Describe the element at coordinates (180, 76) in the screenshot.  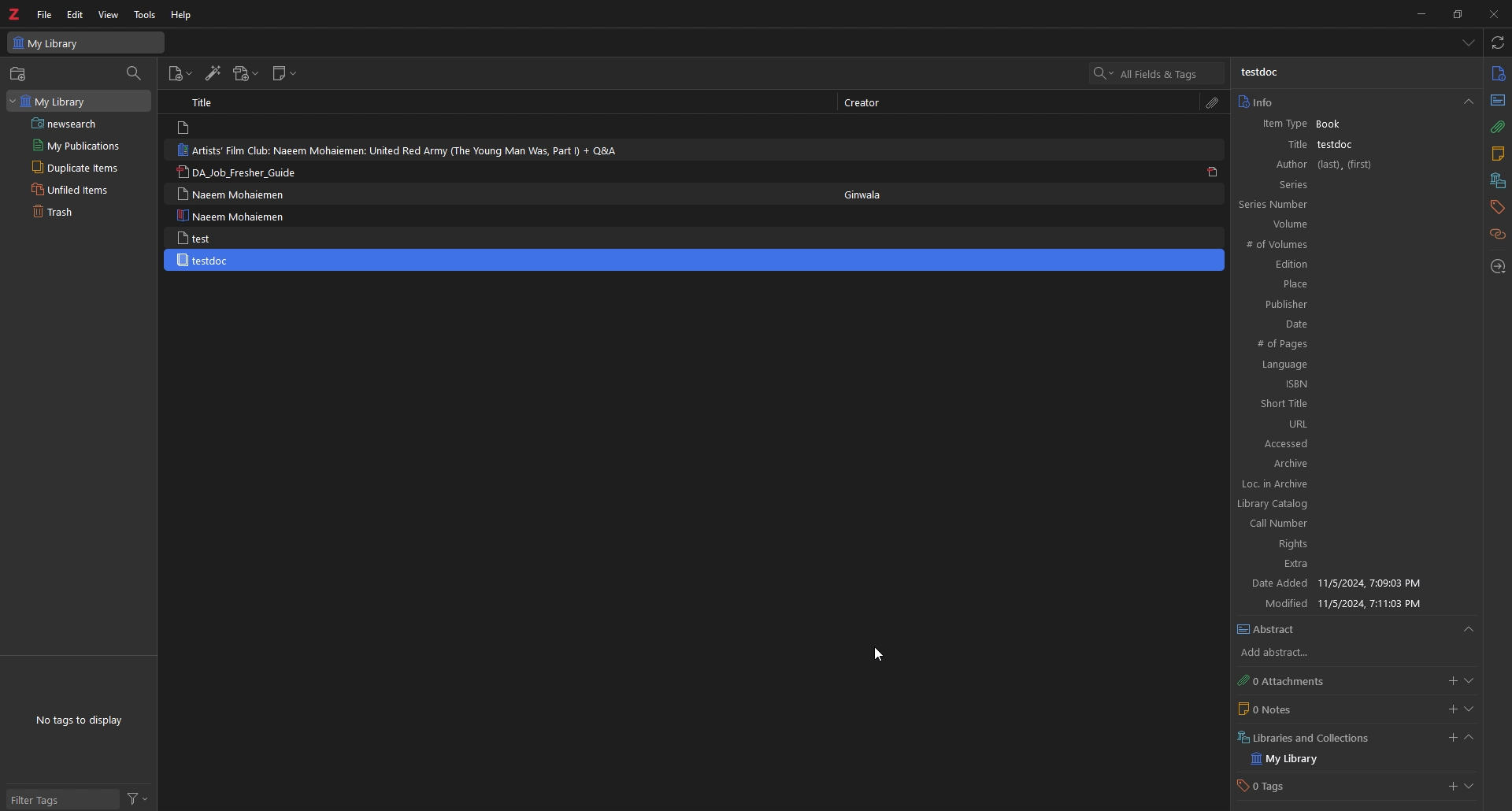
I see `new item` at that location.